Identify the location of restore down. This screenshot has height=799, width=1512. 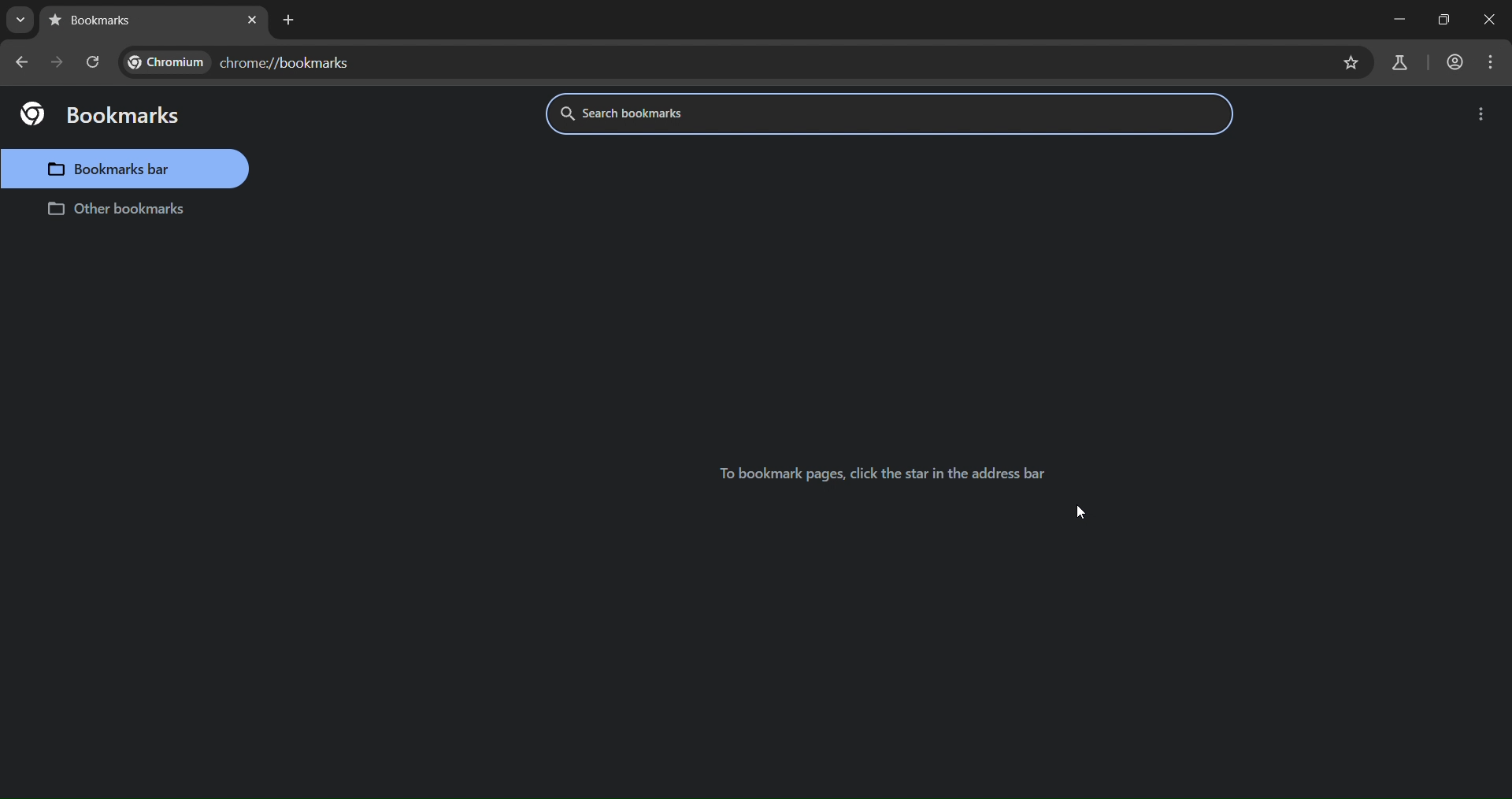
(1443, 17).